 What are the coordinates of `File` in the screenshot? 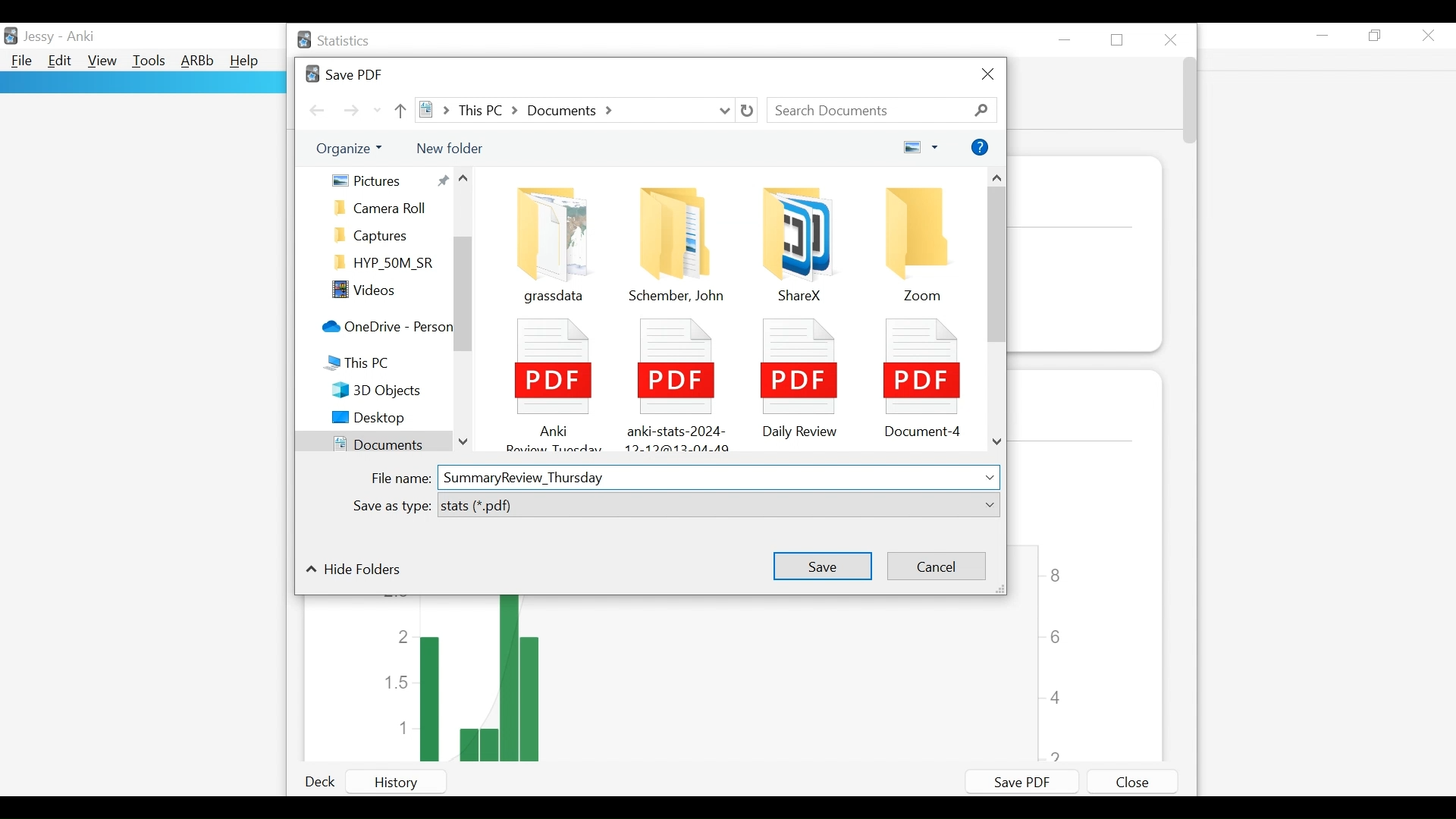 It's located at (20, 61).